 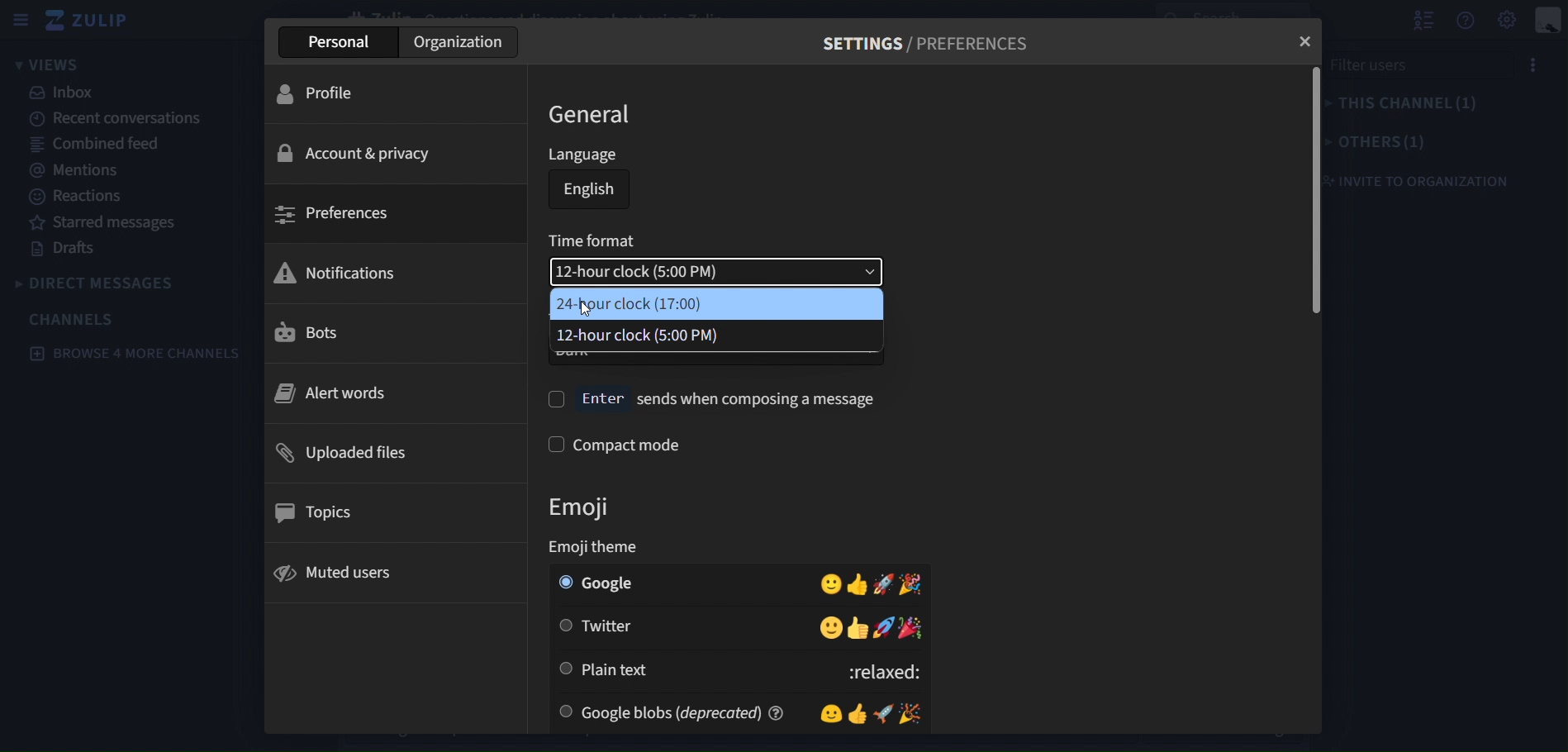 What do you see at coordinates (603, 628) in the screenshot?
I see `twitter` at bounding box center [603, 628].